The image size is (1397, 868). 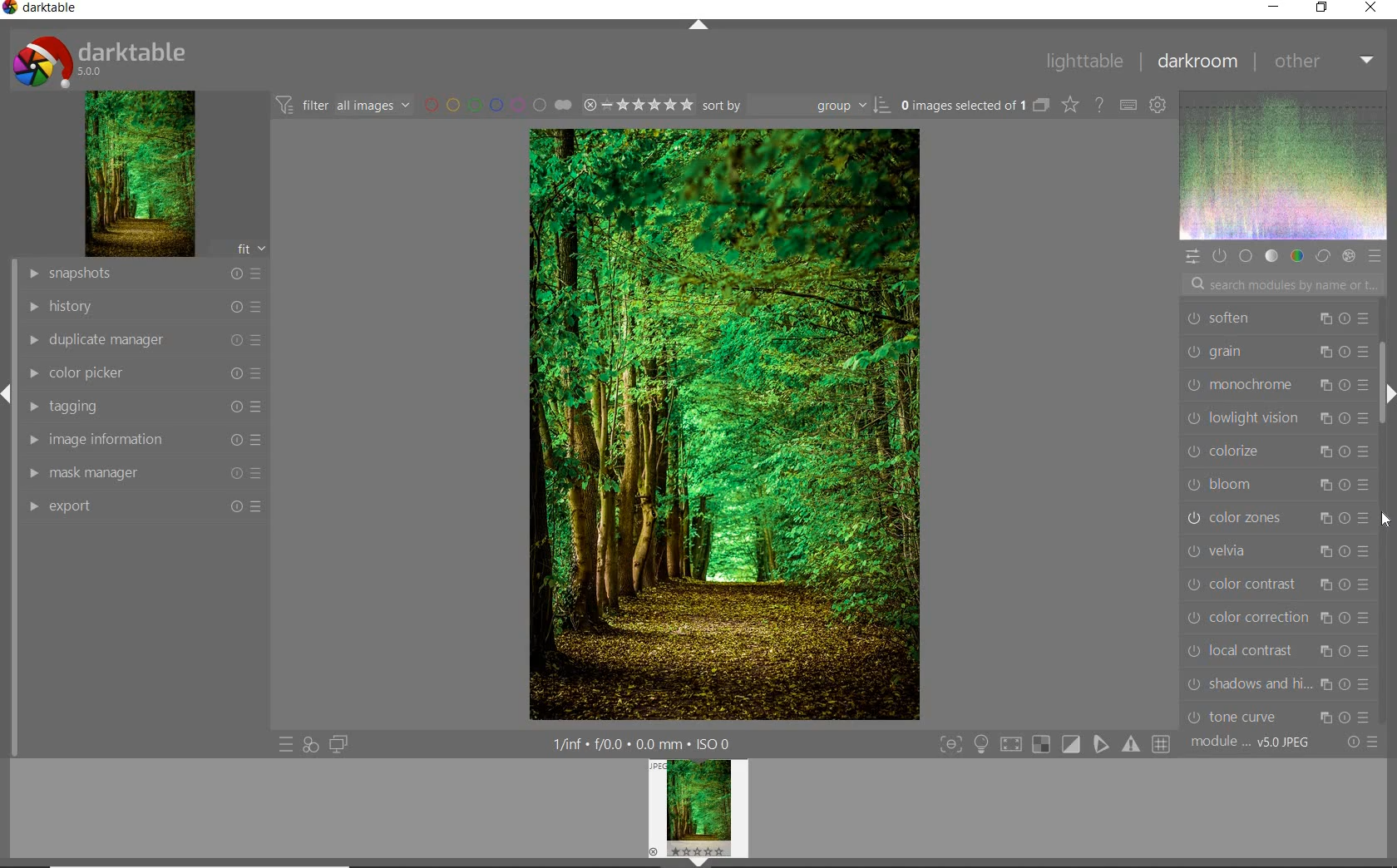 What do you see at coordinates (1376, 255) in the screenshot?
I see `PRESET ` at bounding box center [1376, 255].